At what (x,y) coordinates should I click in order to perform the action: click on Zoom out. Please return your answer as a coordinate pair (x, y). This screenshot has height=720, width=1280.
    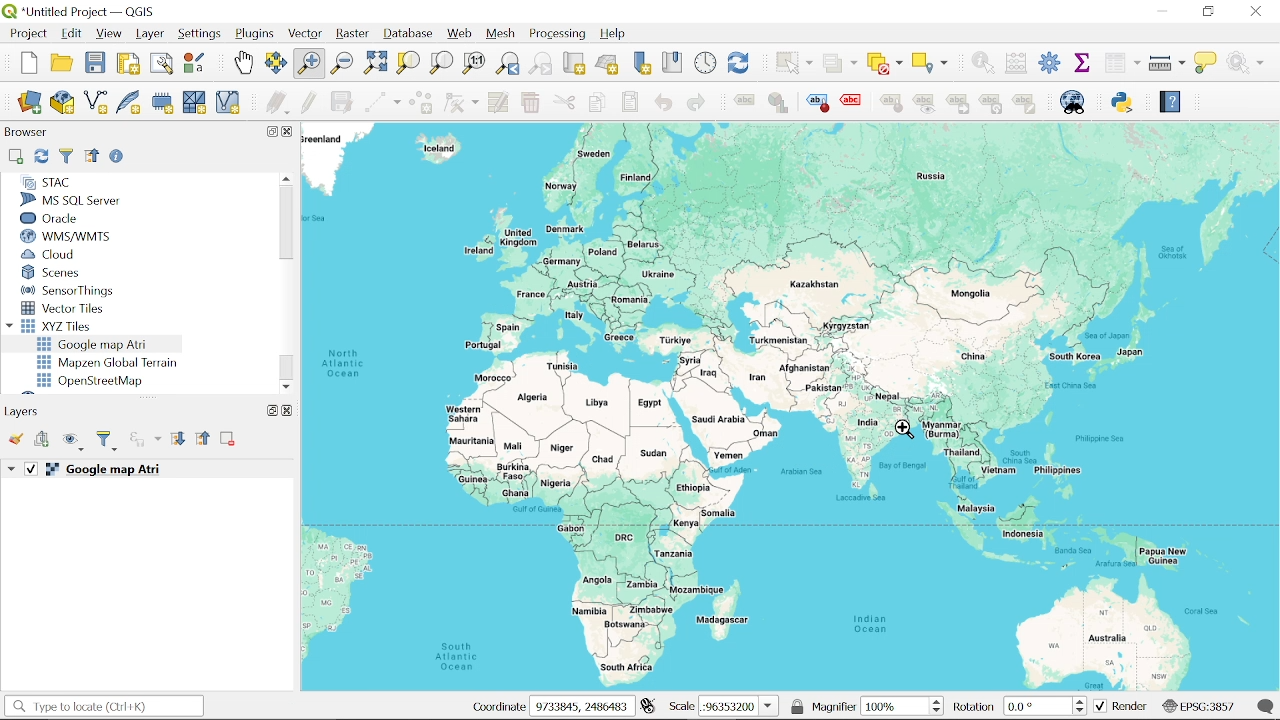
    Looking at the image, I should click on (342, 64).